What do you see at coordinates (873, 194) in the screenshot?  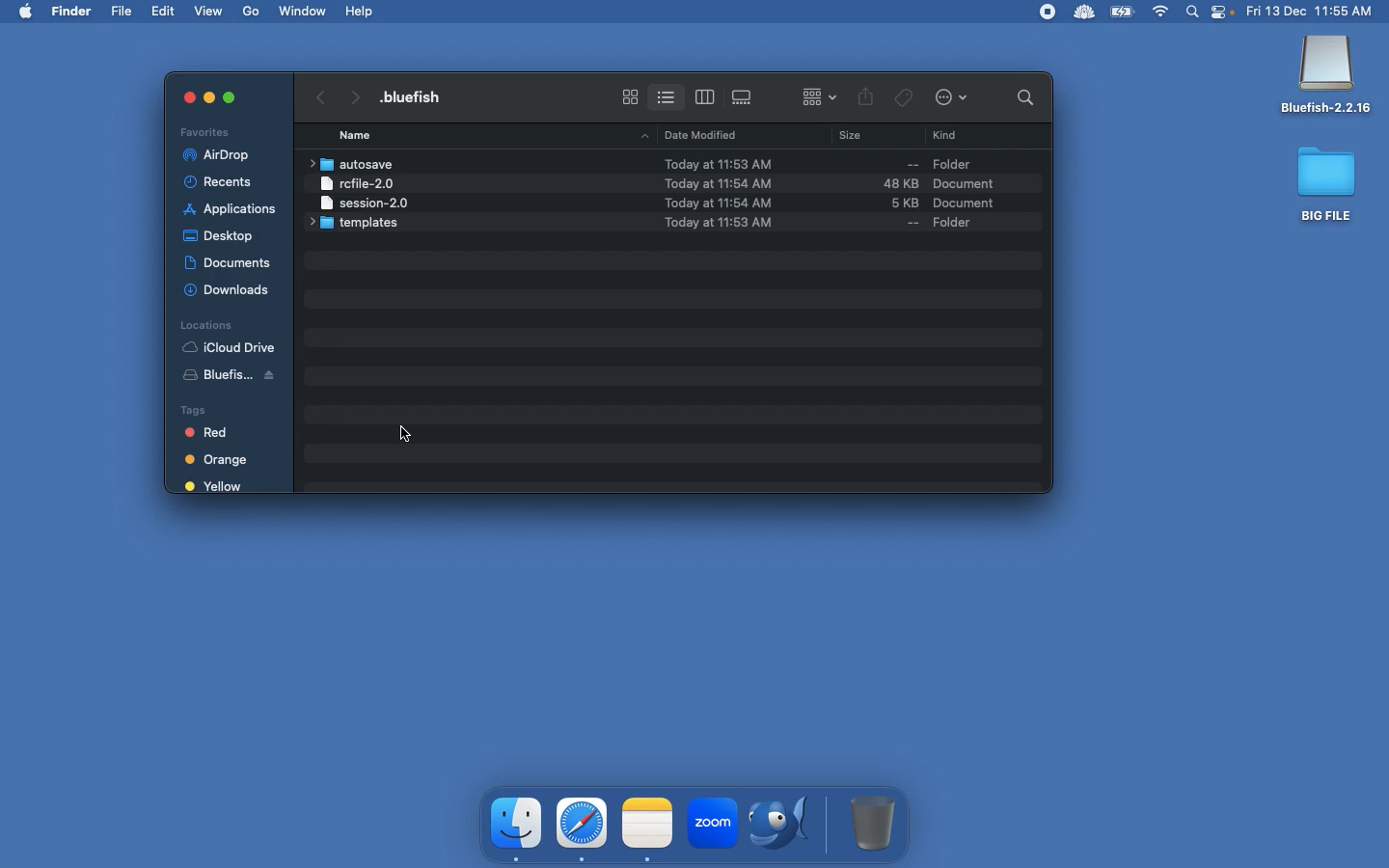 I see `size` at bounding box center [873, 194].